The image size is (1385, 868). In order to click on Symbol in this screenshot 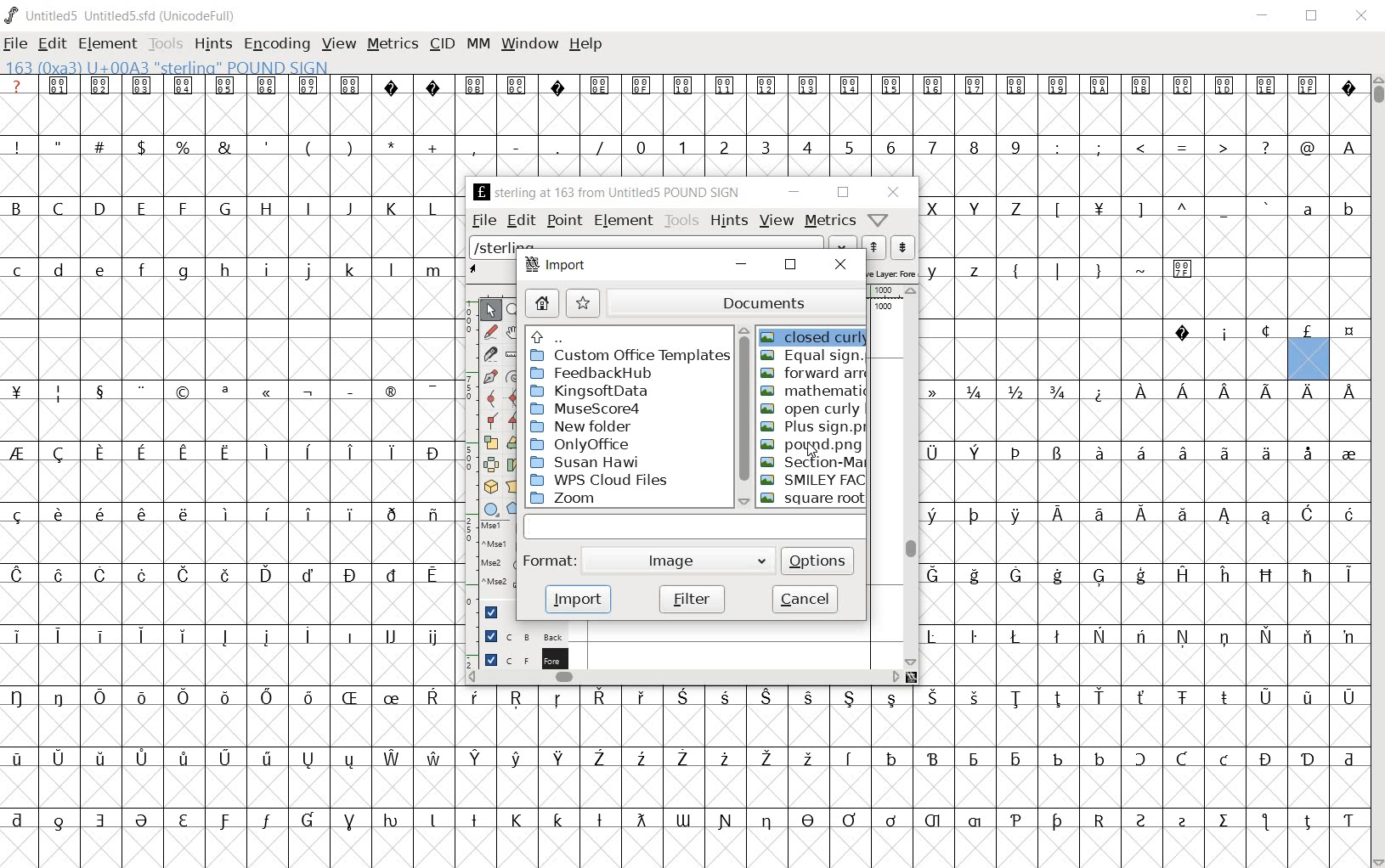, I will do `click(767, 759)`.